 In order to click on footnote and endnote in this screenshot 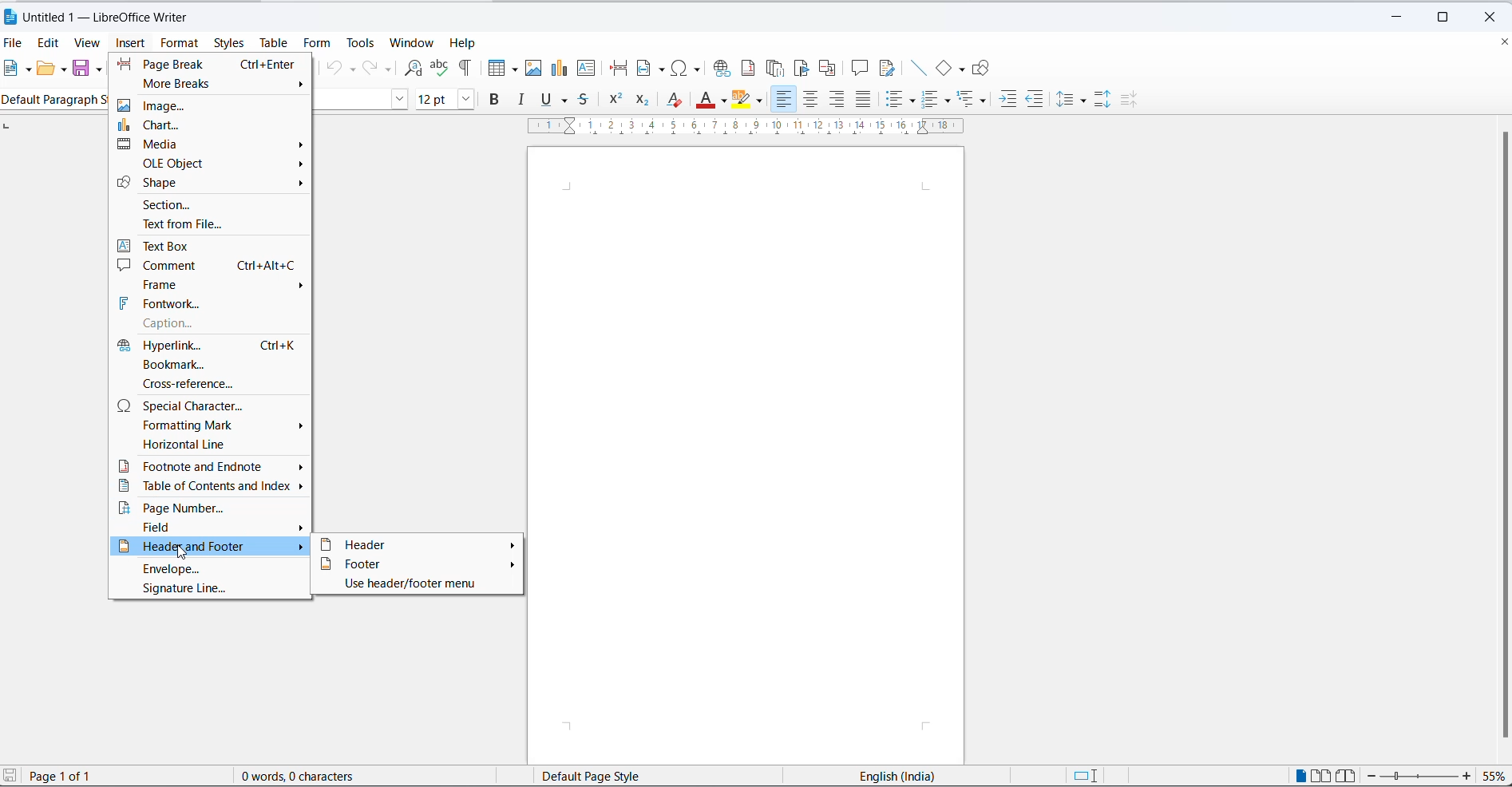, I will do `click(212, 465)`.